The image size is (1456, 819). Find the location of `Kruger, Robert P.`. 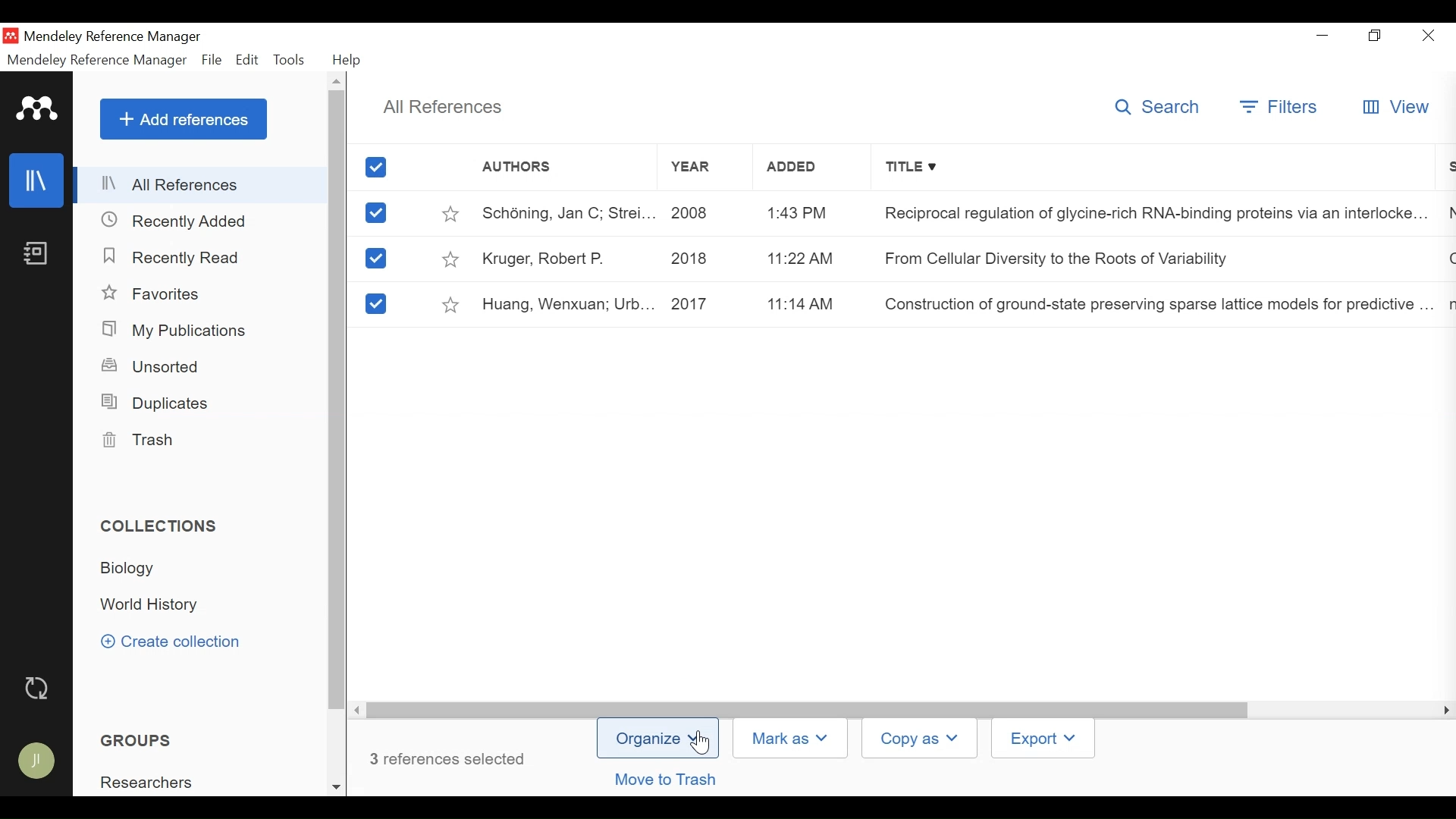

Kruger, Robert P. is located at coordinates (567, 257).